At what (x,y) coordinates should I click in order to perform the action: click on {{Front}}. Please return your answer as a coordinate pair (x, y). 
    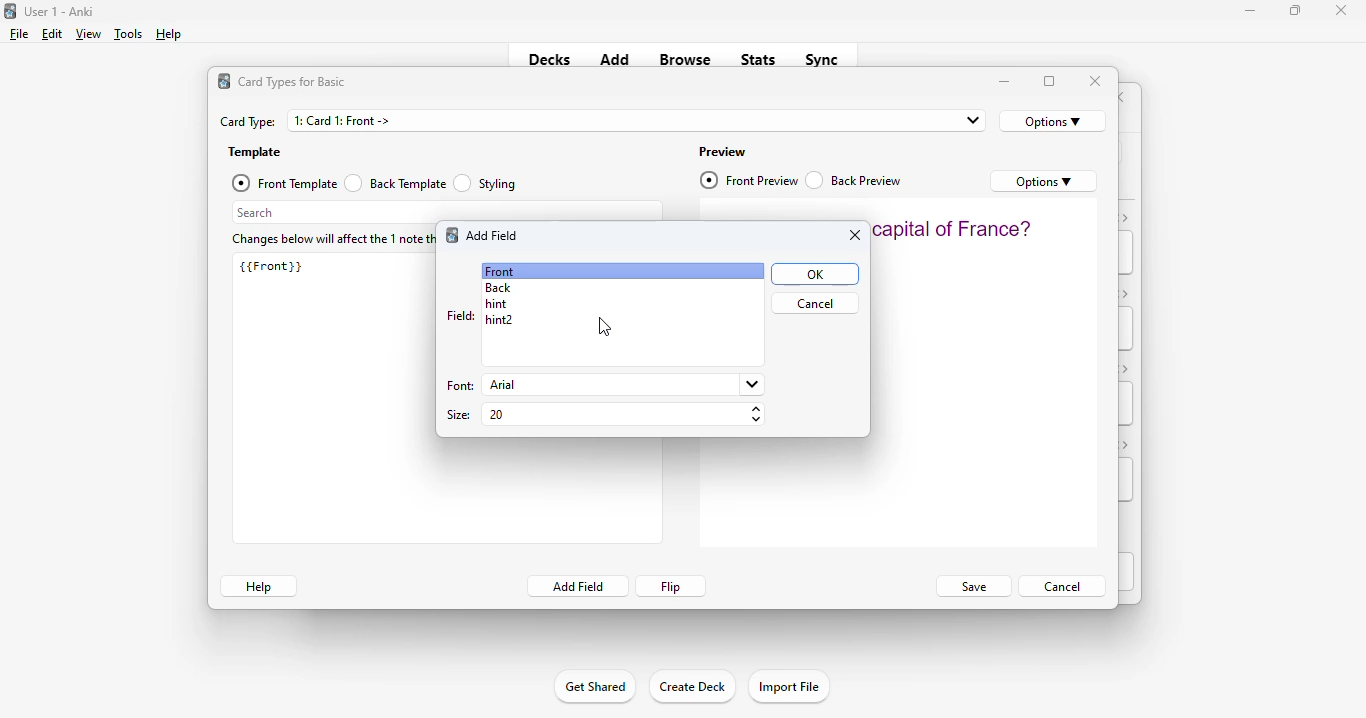
    Looking at the image, I should click on (271, 266).